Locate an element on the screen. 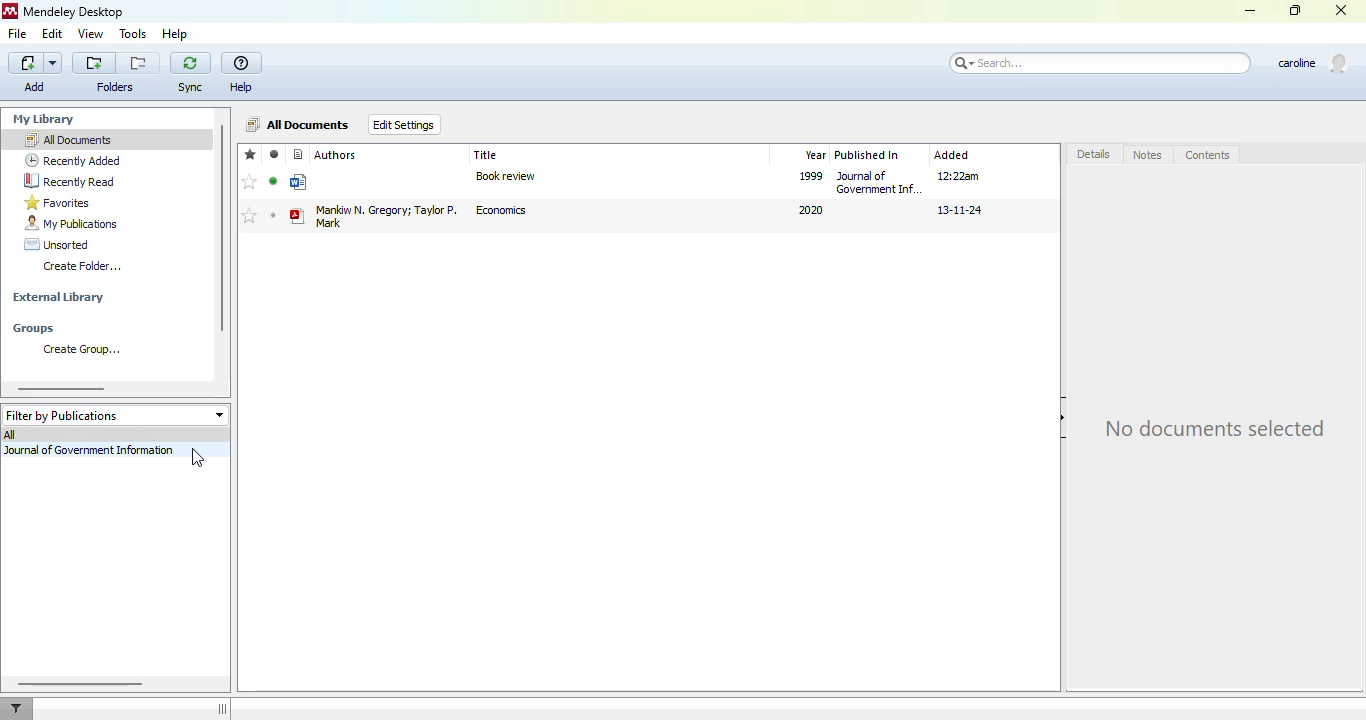 This screenshot has width=1366, height=720. close is located at coordinates (1341, 9).